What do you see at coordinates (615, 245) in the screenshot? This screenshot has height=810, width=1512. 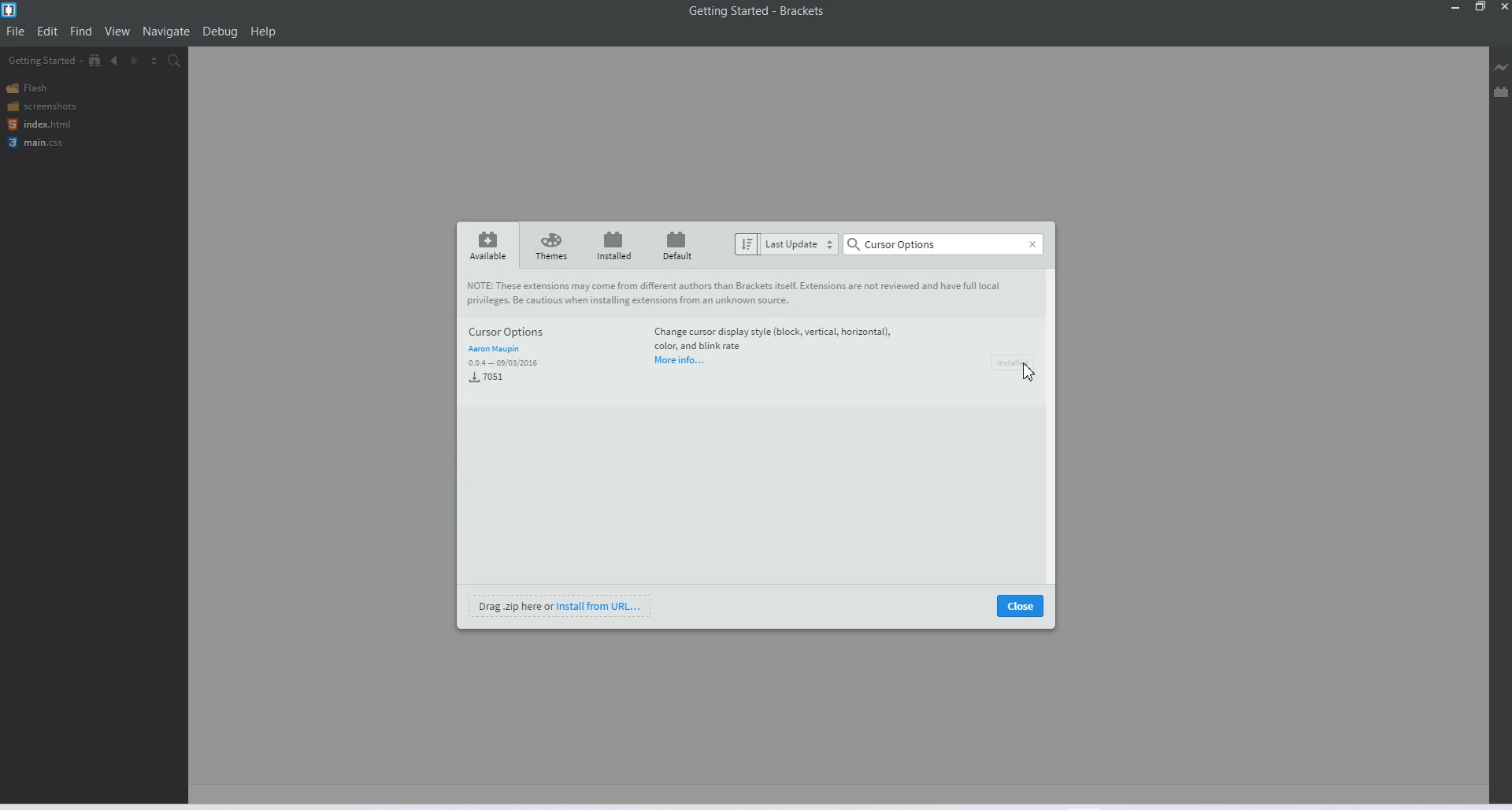 I see `installed` at bounding box center [615, 245].